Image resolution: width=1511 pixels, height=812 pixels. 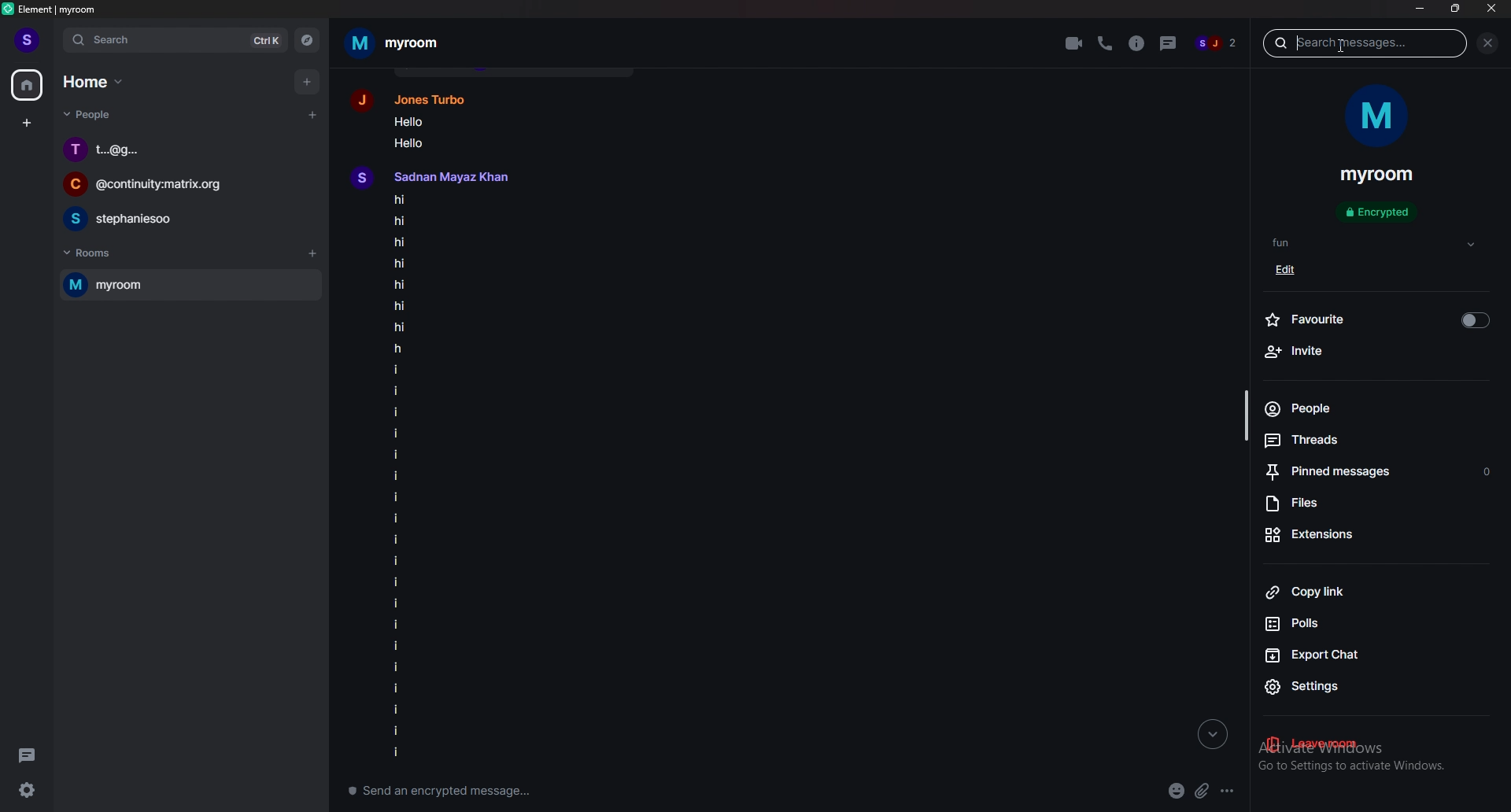 I want to click on polls, so click(x=1336, y=624).